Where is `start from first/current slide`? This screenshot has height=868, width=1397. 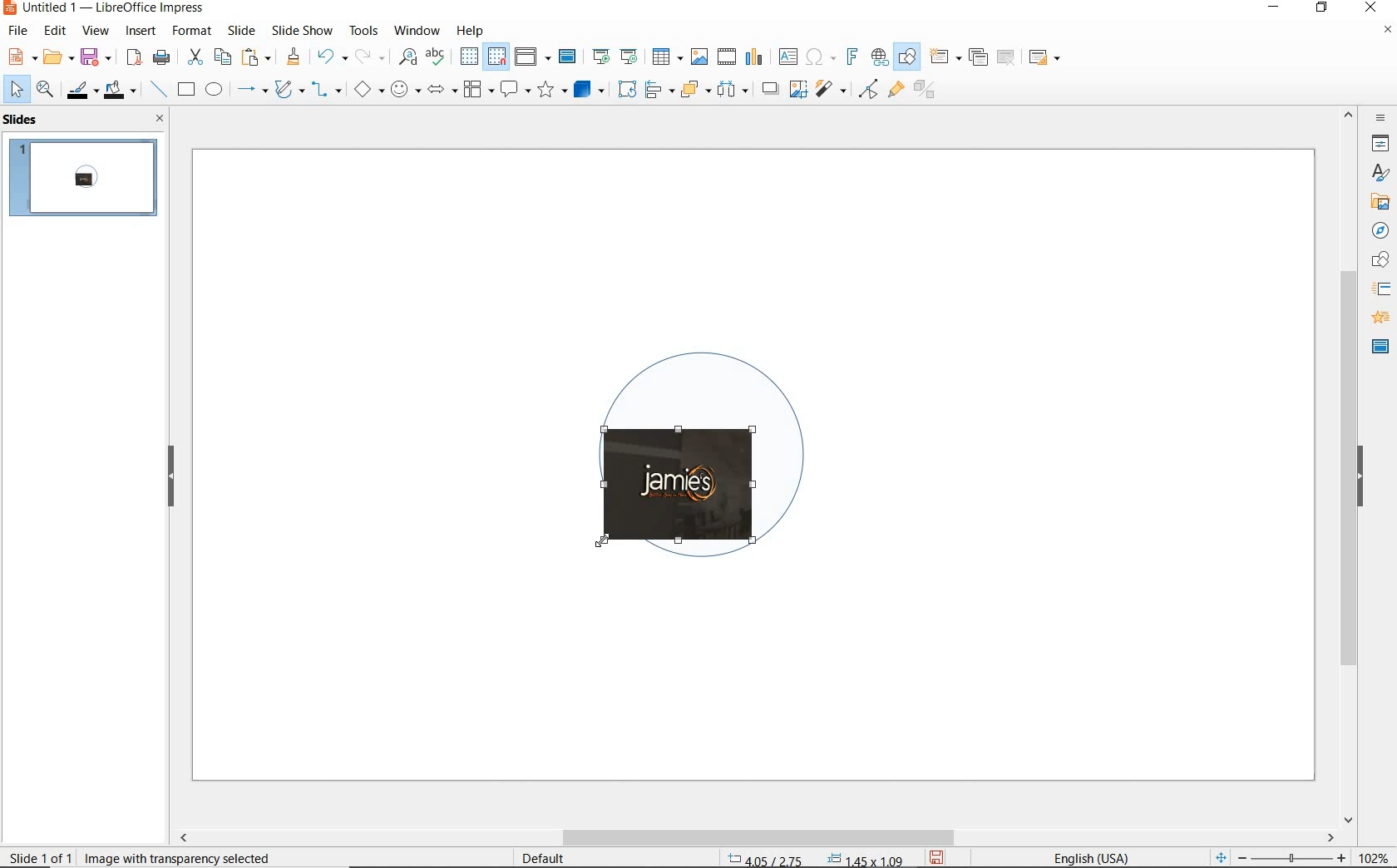
start from first/current slide is located at coordinates (615, 55).